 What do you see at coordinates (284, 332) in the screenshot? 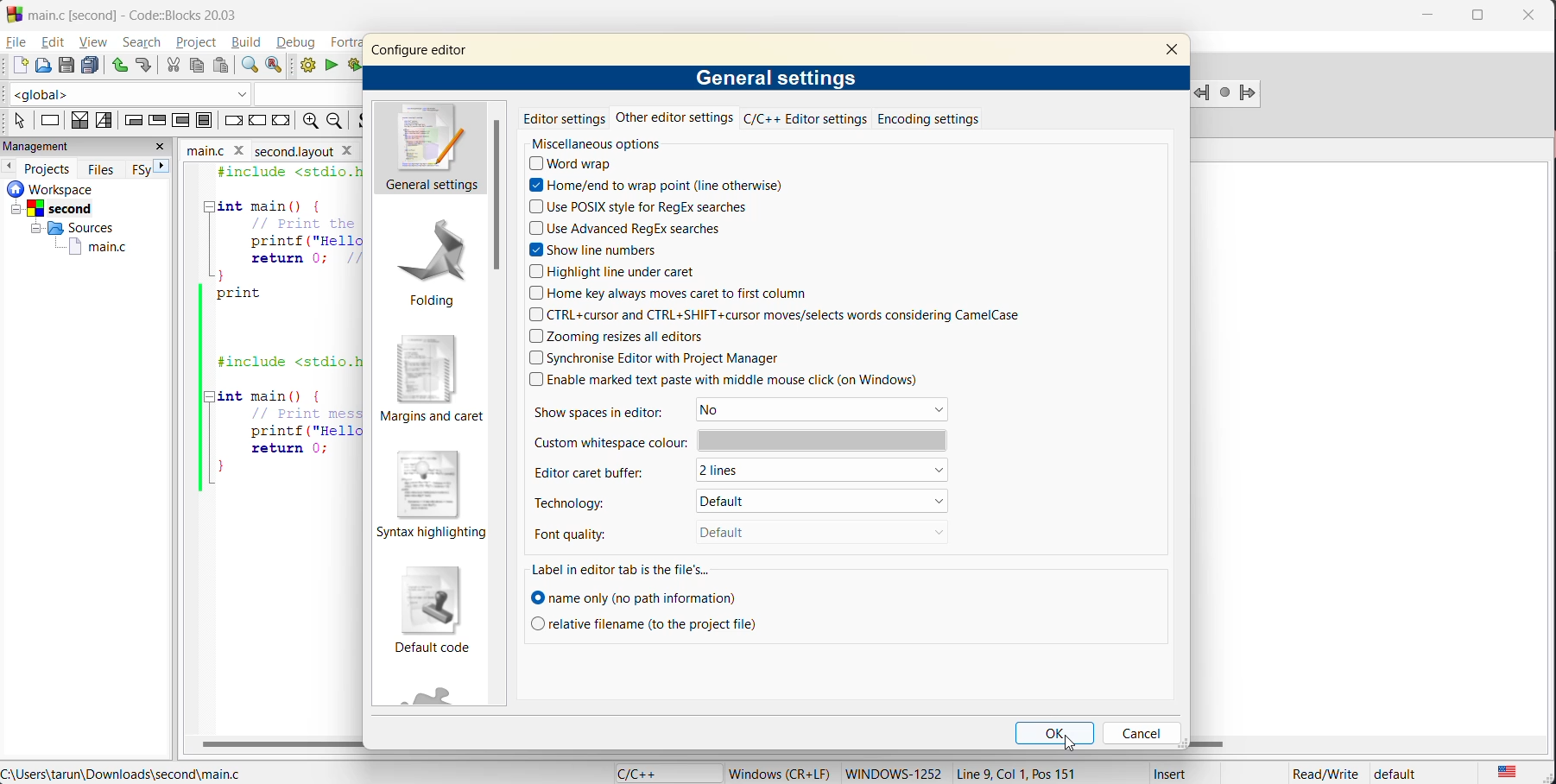
I see `#include <stdio.h> 2 3  int main() {4 Print the Hello, World message5) printf ("Hello, World!\n");6 return 0; Return success7 }8 print5 ||10112 | #include <stdio.h>1314 [Tint main() (15 Print message to console16 printf ("Hello, World!\n");17 return 0;18 ||}19` at bounding box center [284, 332].